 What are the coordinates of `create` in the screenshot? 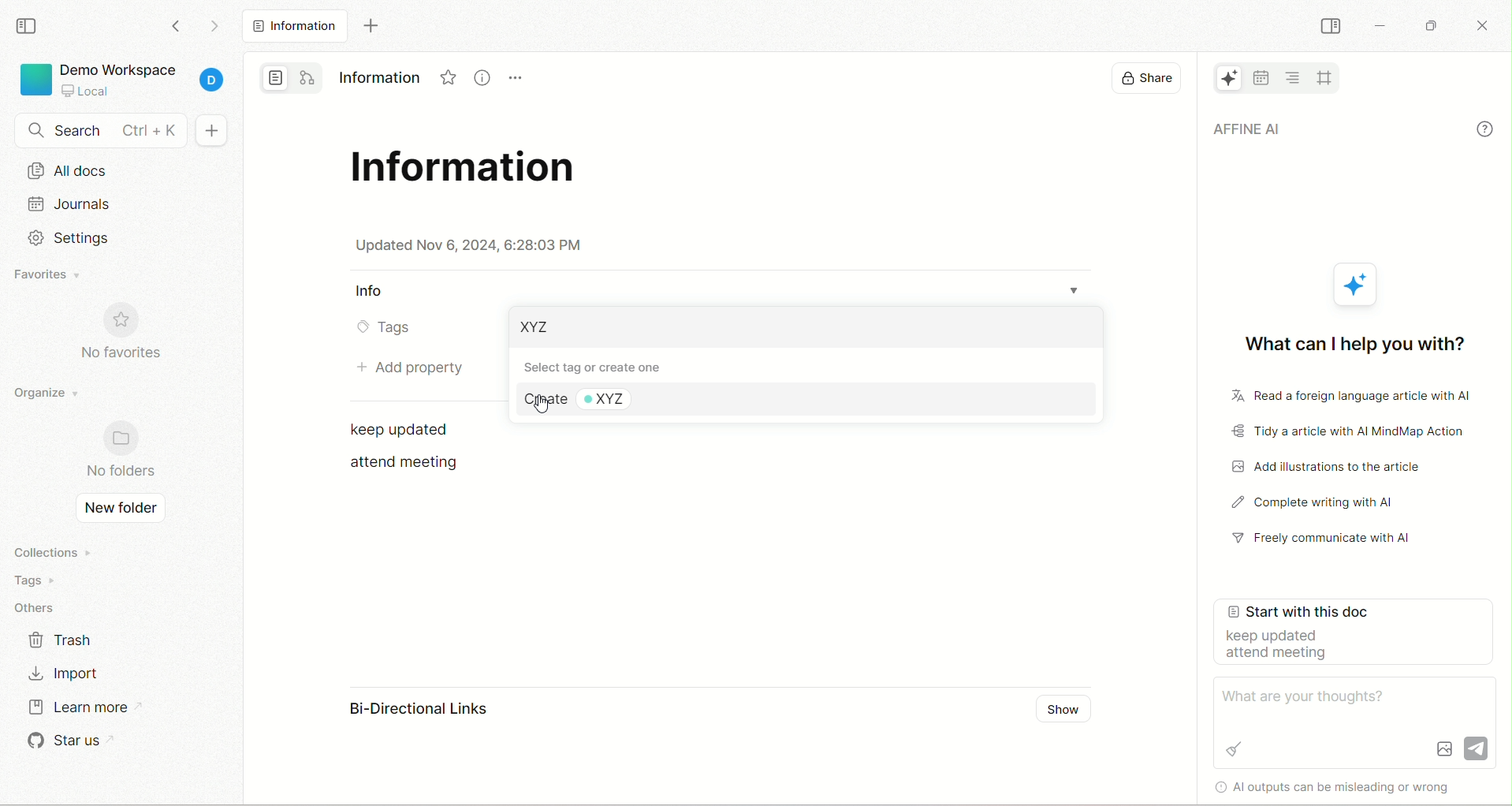 It's located at (542, 400).